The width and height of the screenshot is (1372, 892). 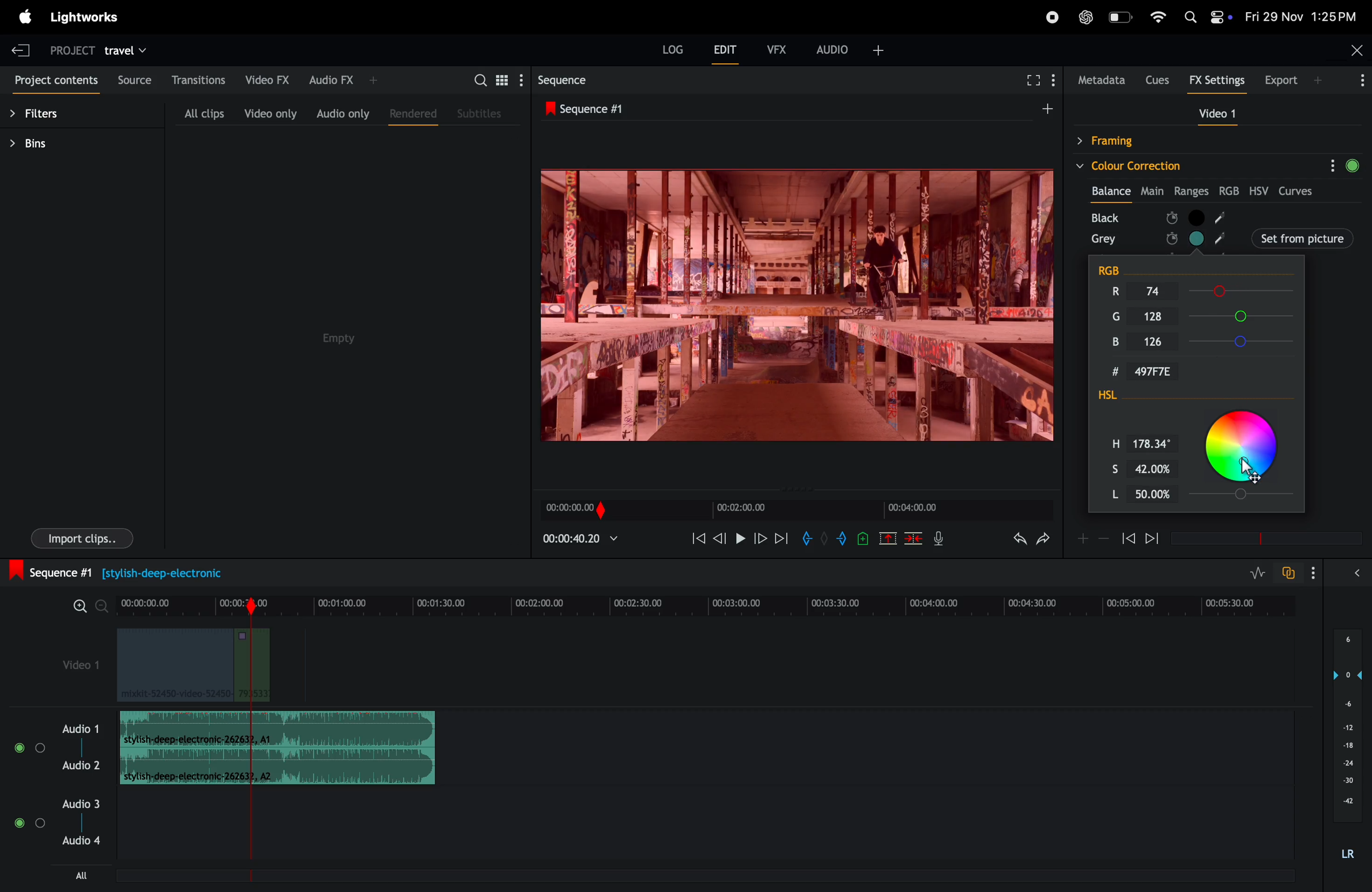 What do you see at coordinates (344, 80) in the screenshot?
I see `audio fx` at bounding box center [344, 80].